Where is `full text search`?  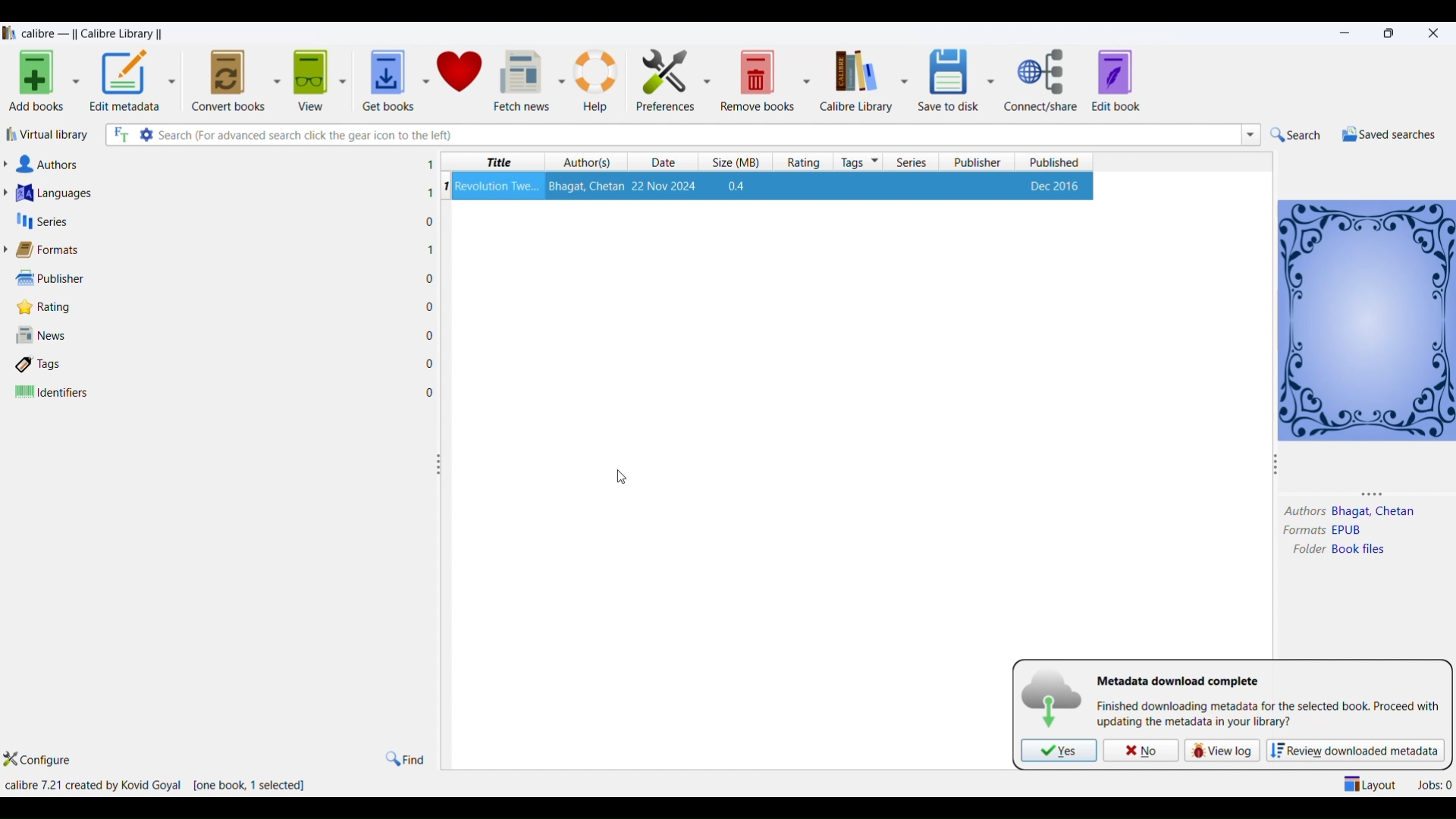 full text search is located at coordinates (119, 136).